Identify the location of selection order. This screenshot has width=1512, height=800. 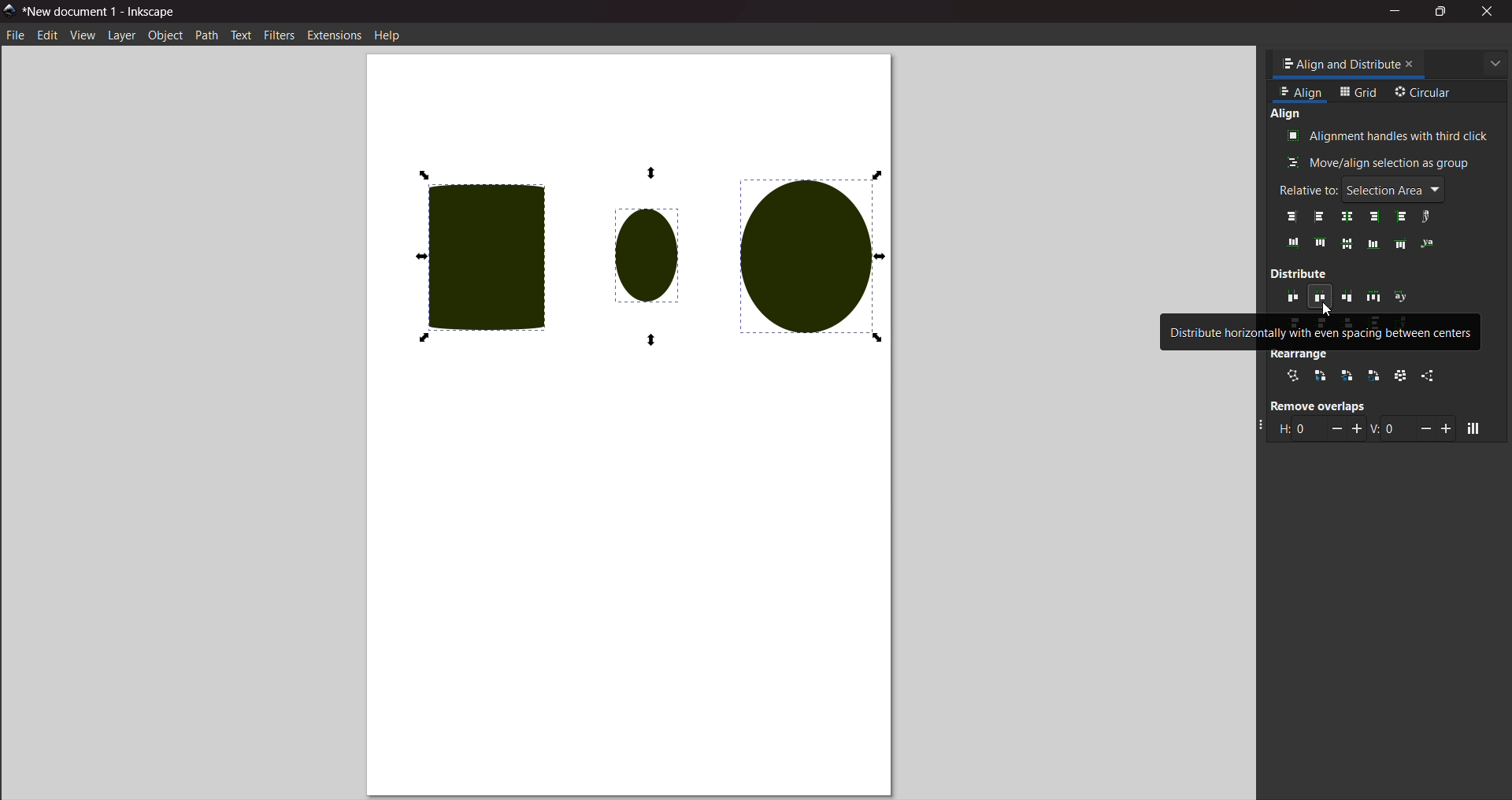
(1320, 375).